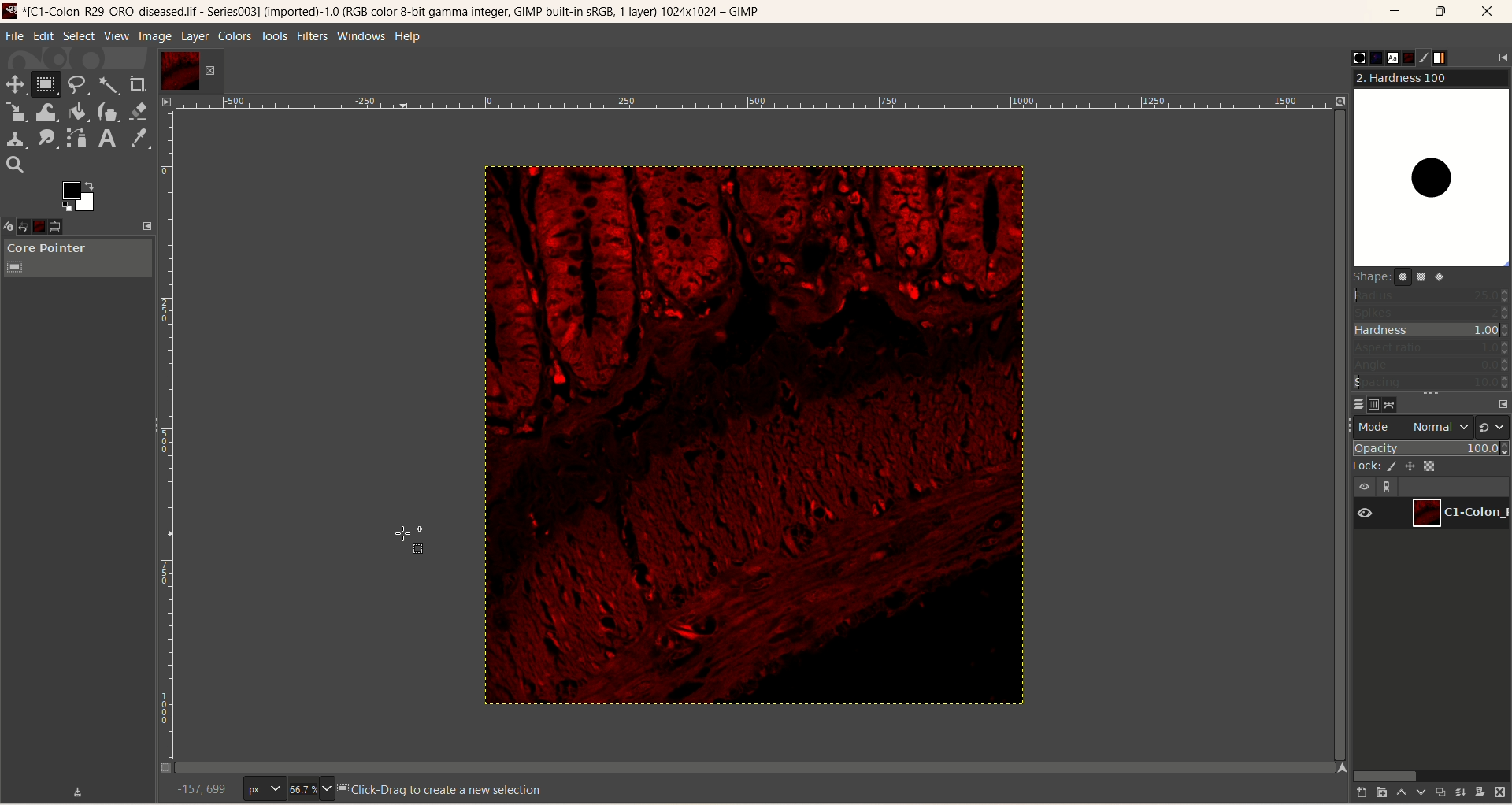 This screenshot has height=805, width=1512. Describe the element at coordinates (16, 112) in the screenshot. I see `scale` at that location.